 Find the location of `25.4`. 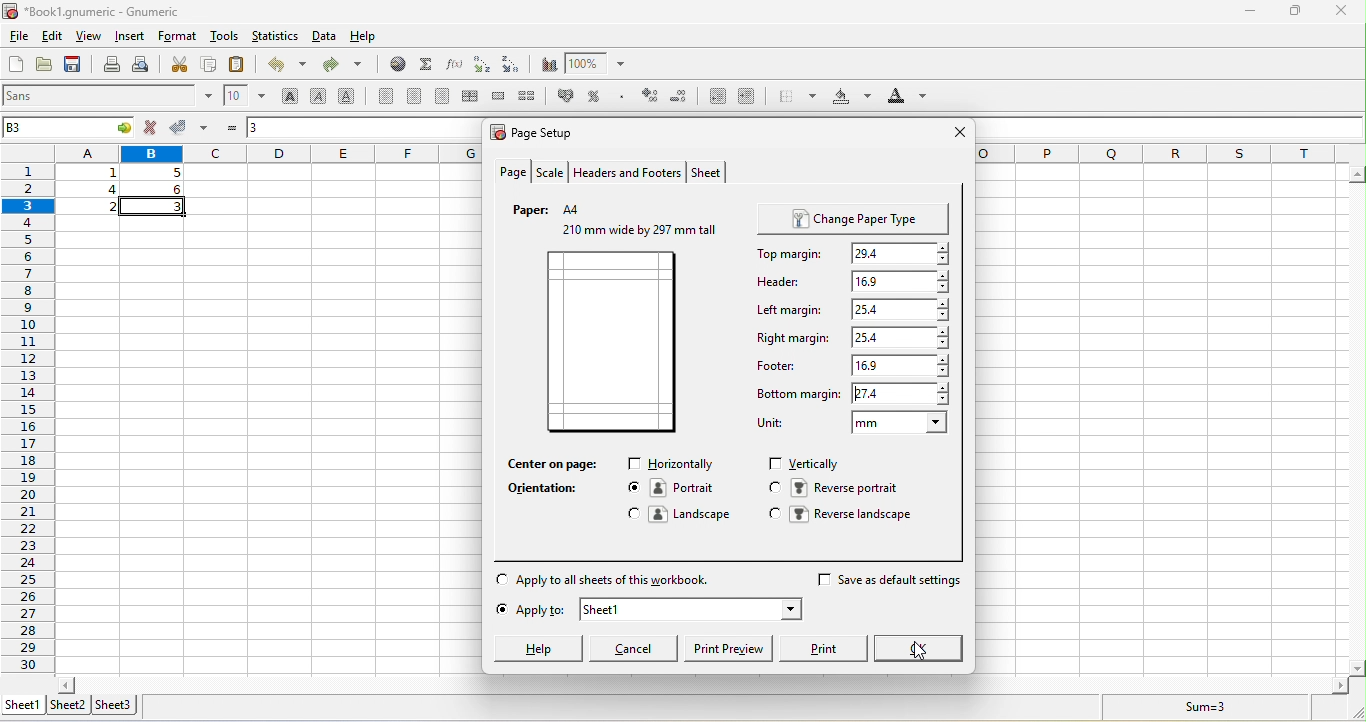

25.4 is located at coordinates (904, 309).